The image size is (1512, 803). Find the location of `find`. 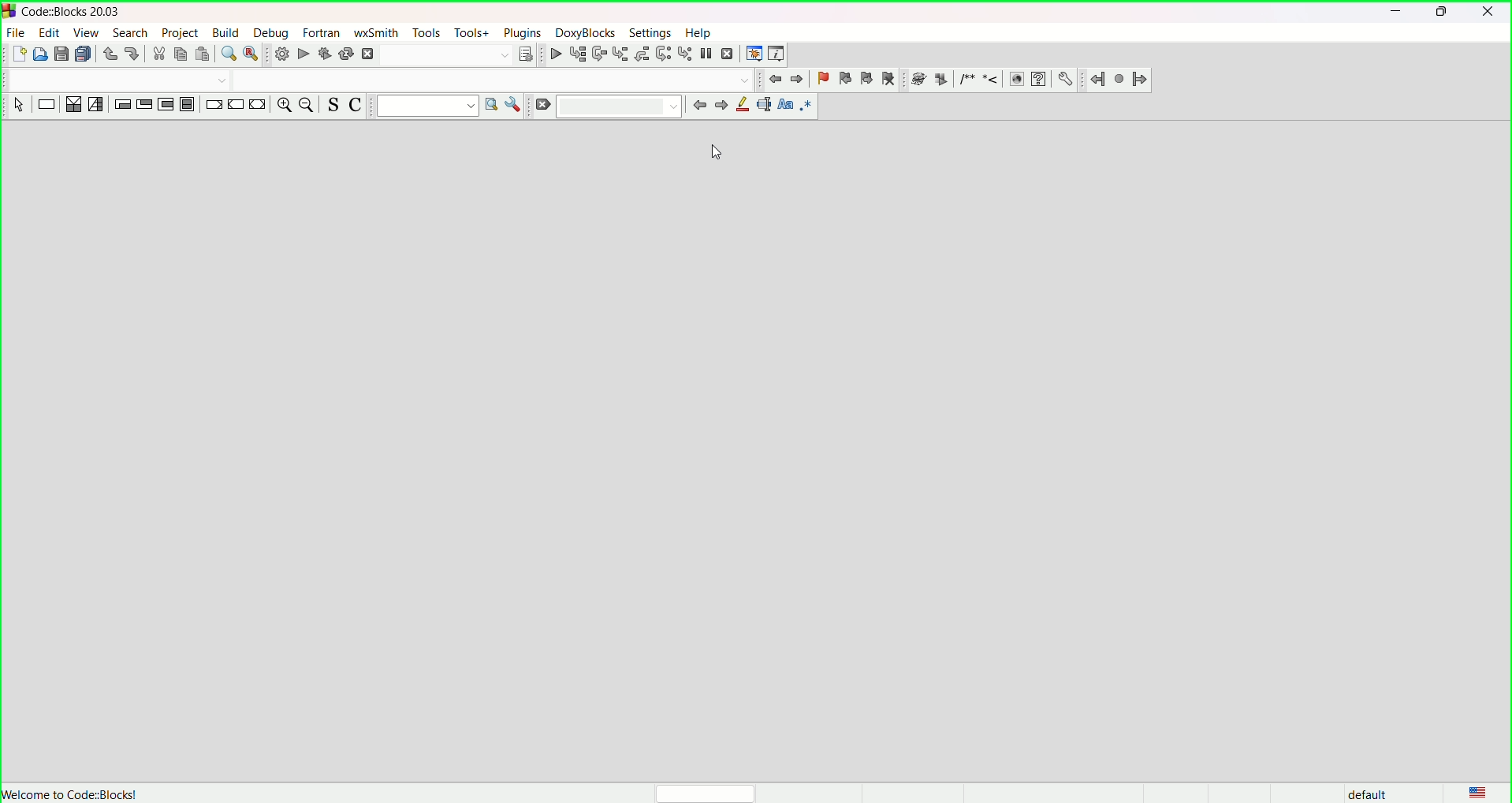

find is located at coordinates (225, 55).